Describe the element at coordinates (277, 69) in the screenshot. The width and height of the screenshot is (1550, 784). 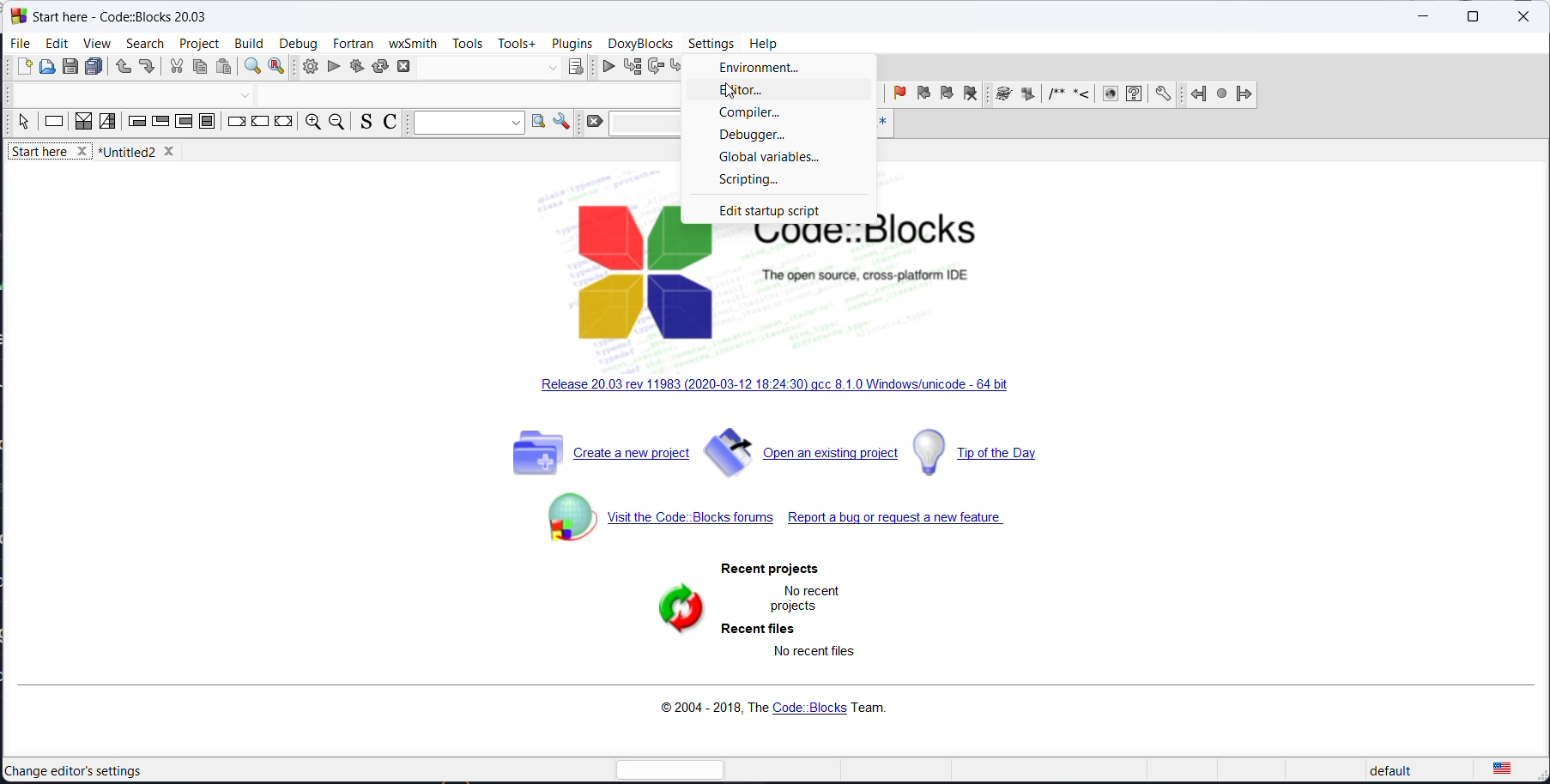
I see `replace` at that location.